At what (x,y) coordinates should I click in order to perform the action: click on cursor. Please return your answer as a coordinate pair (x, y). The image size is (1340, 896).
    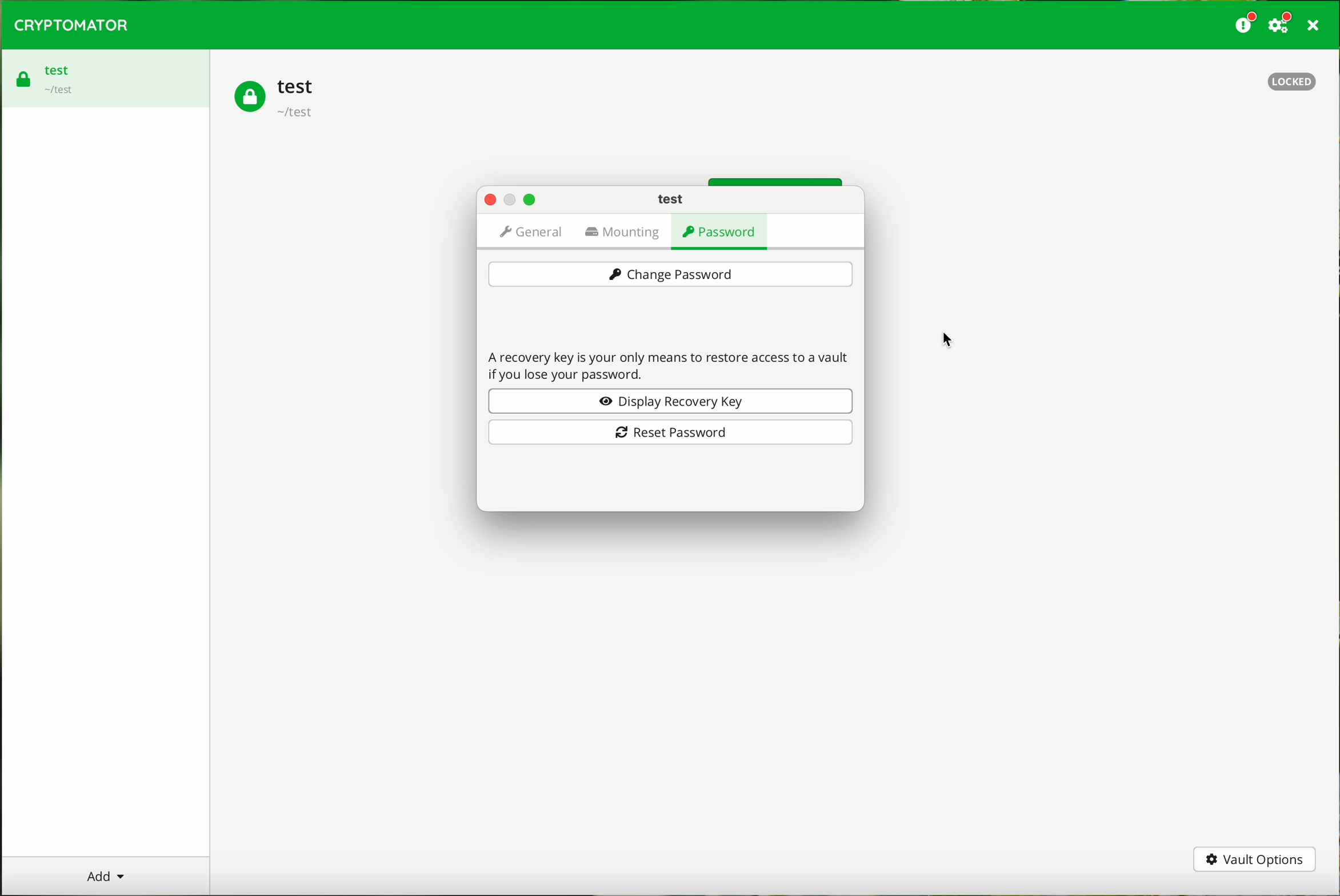
    Looking at the image, I should click on (952, 337).